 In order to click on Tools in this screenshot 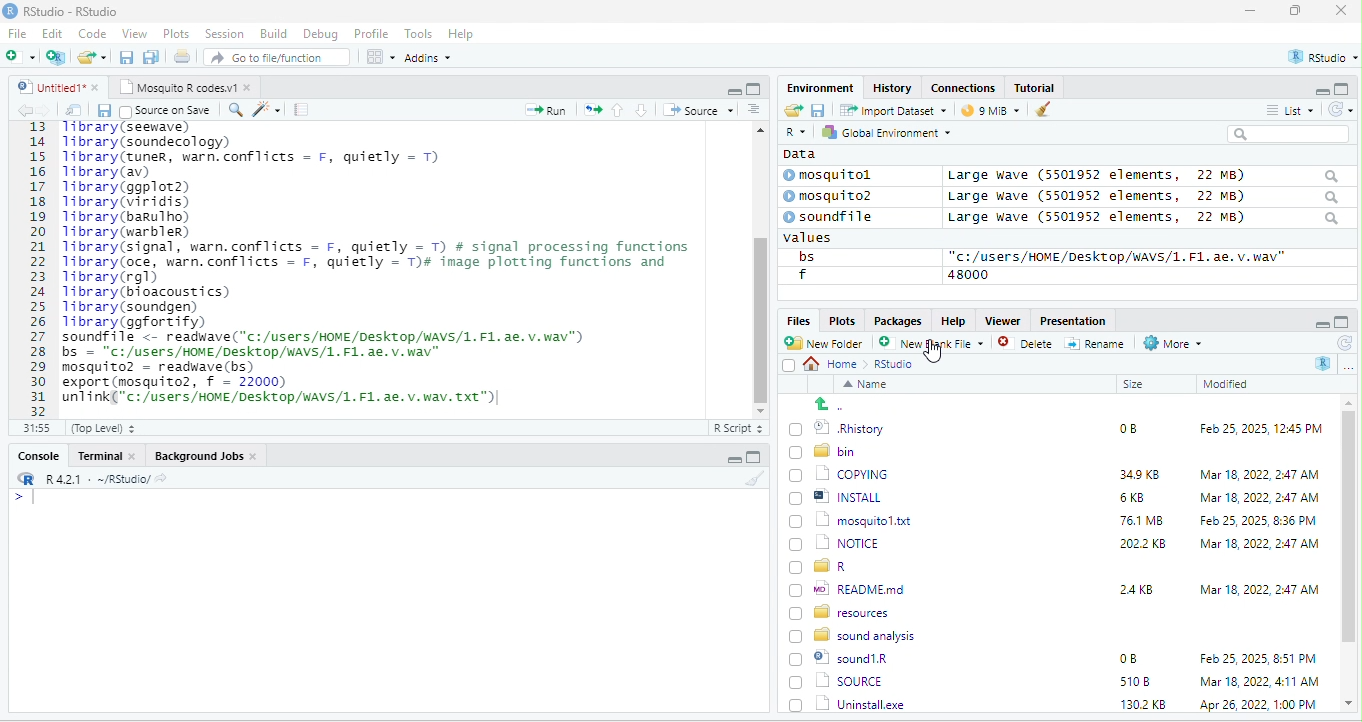, I will do `click(419, 33)`.